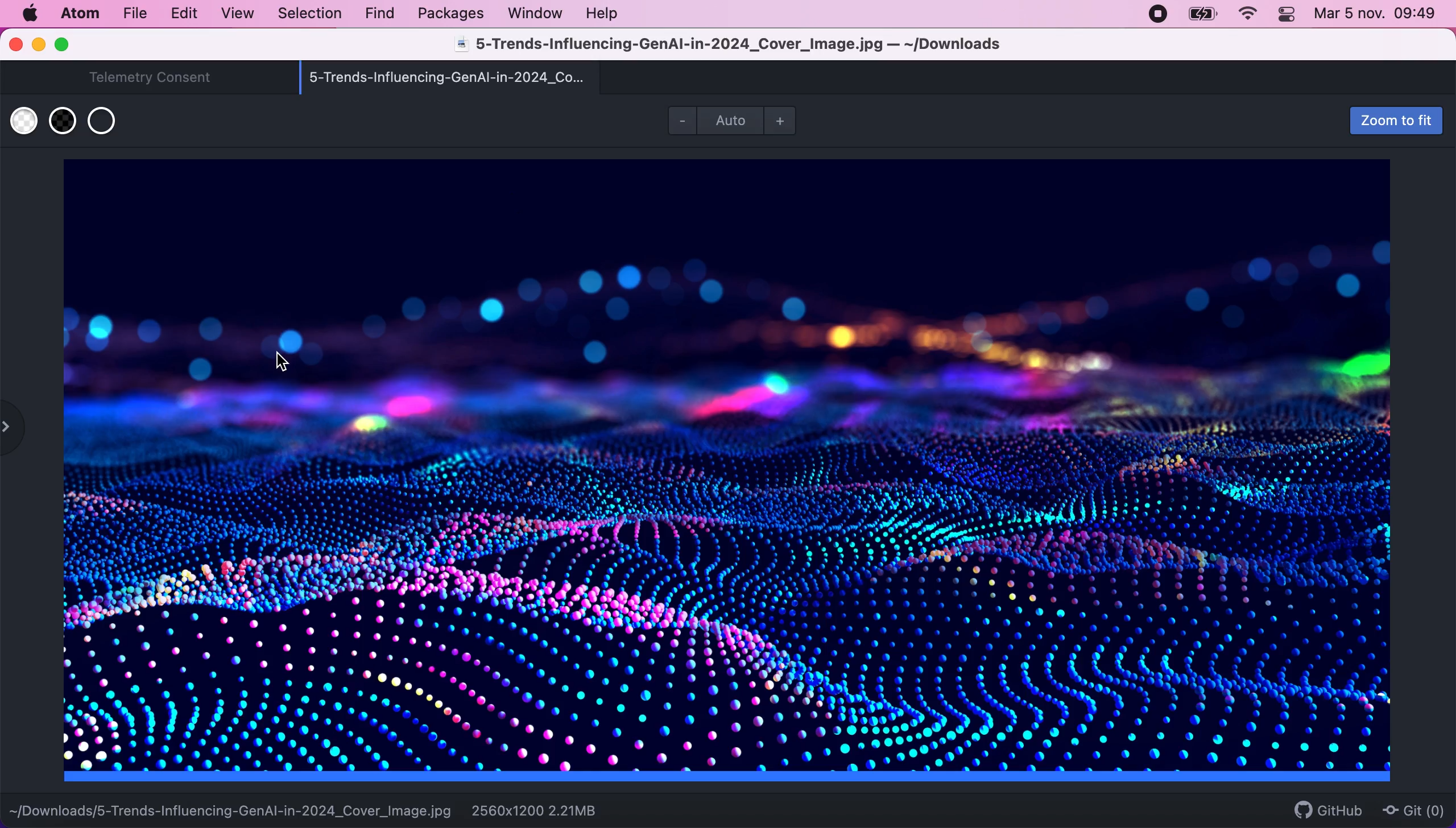 The image size is (1456, 828). I want to click on view, so click(235, 14).